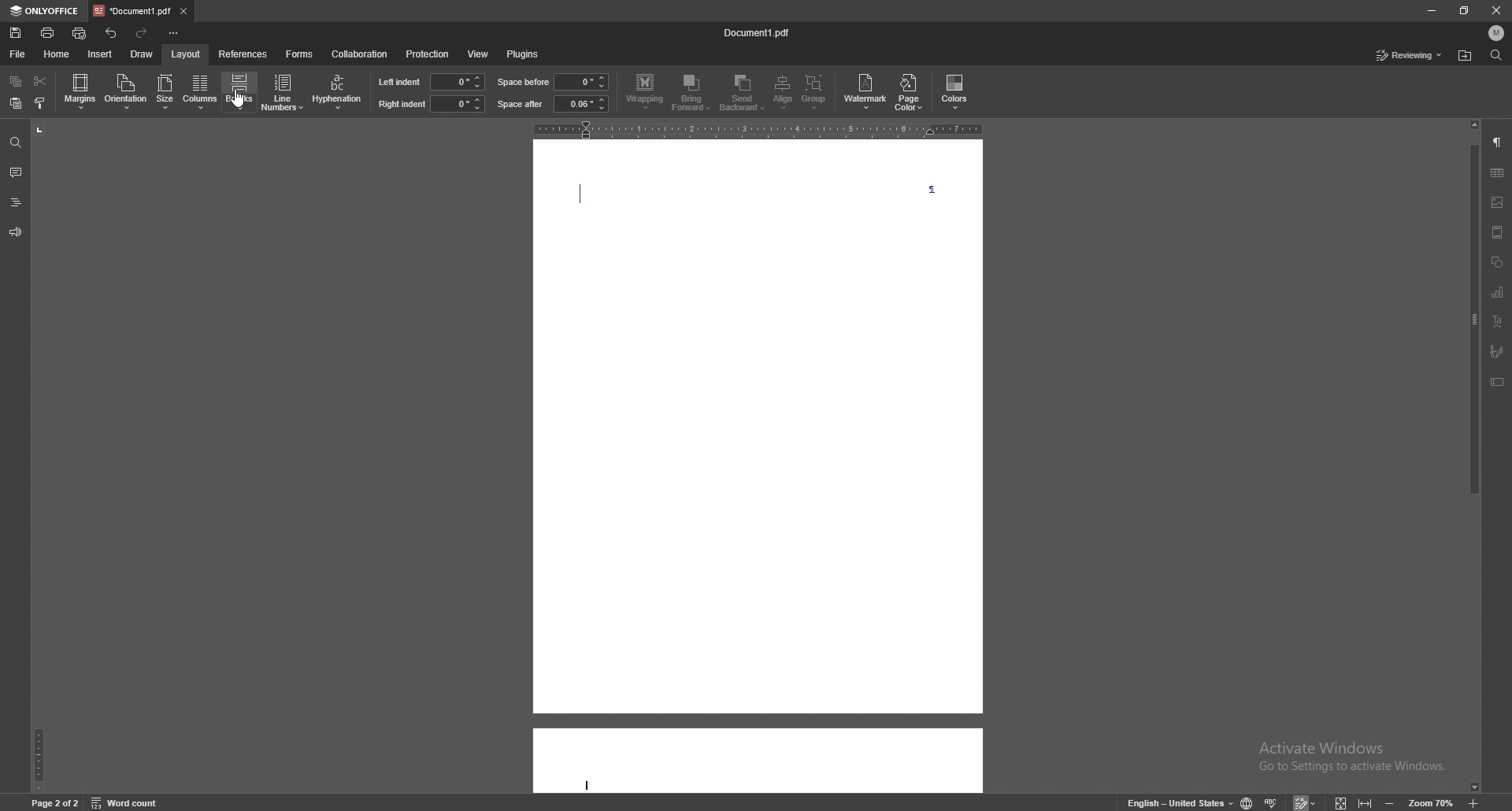 The height and width of the screenshot is (811, 1512). Describe the element at coordinates (79, 33) in the screenshot. I see `quick print` at that location.